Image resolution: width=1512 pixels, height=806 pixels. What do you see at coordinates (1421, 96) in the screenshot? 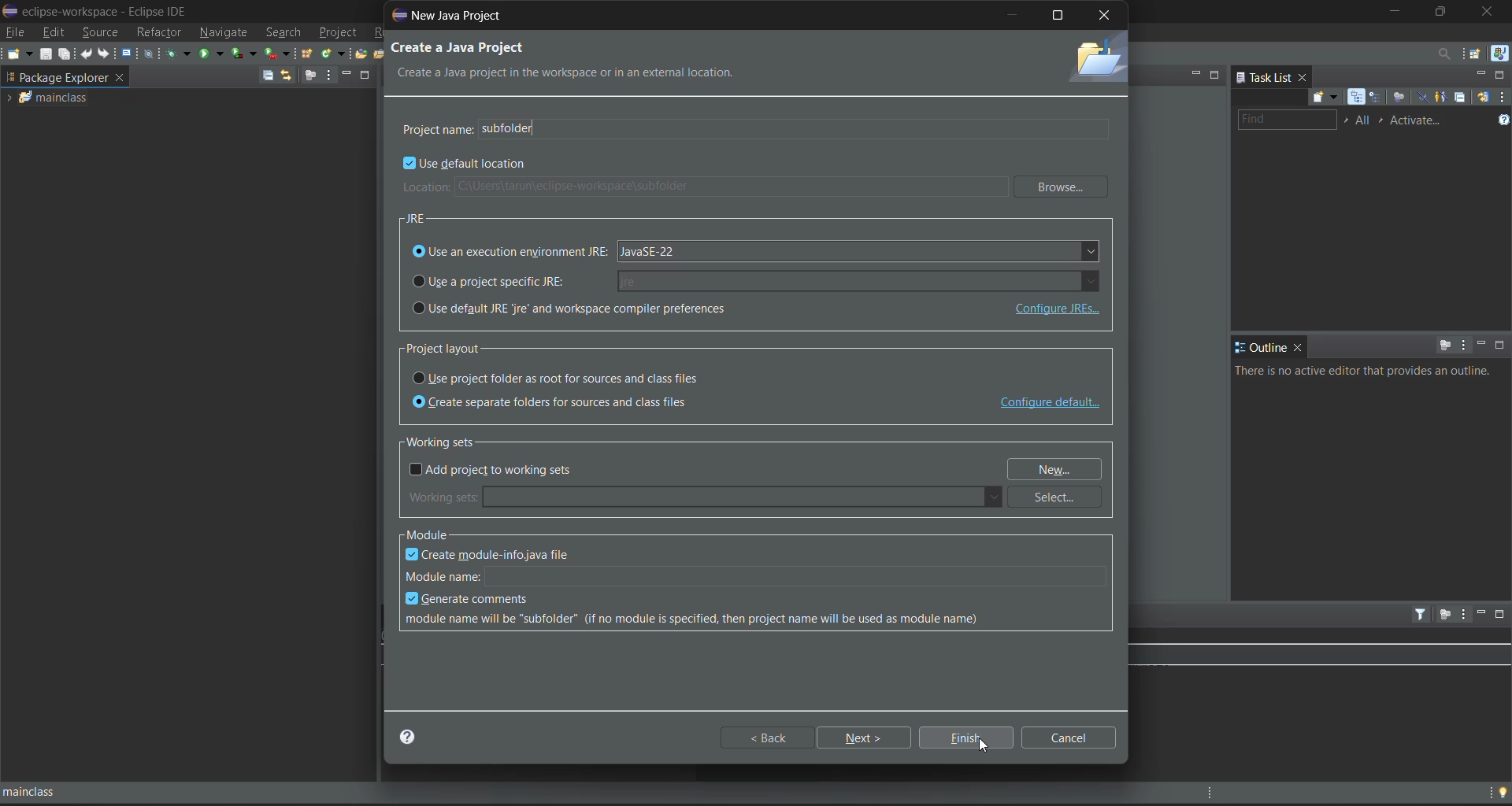
I see `hide completed tasks` at bounding box center [1421, 96].